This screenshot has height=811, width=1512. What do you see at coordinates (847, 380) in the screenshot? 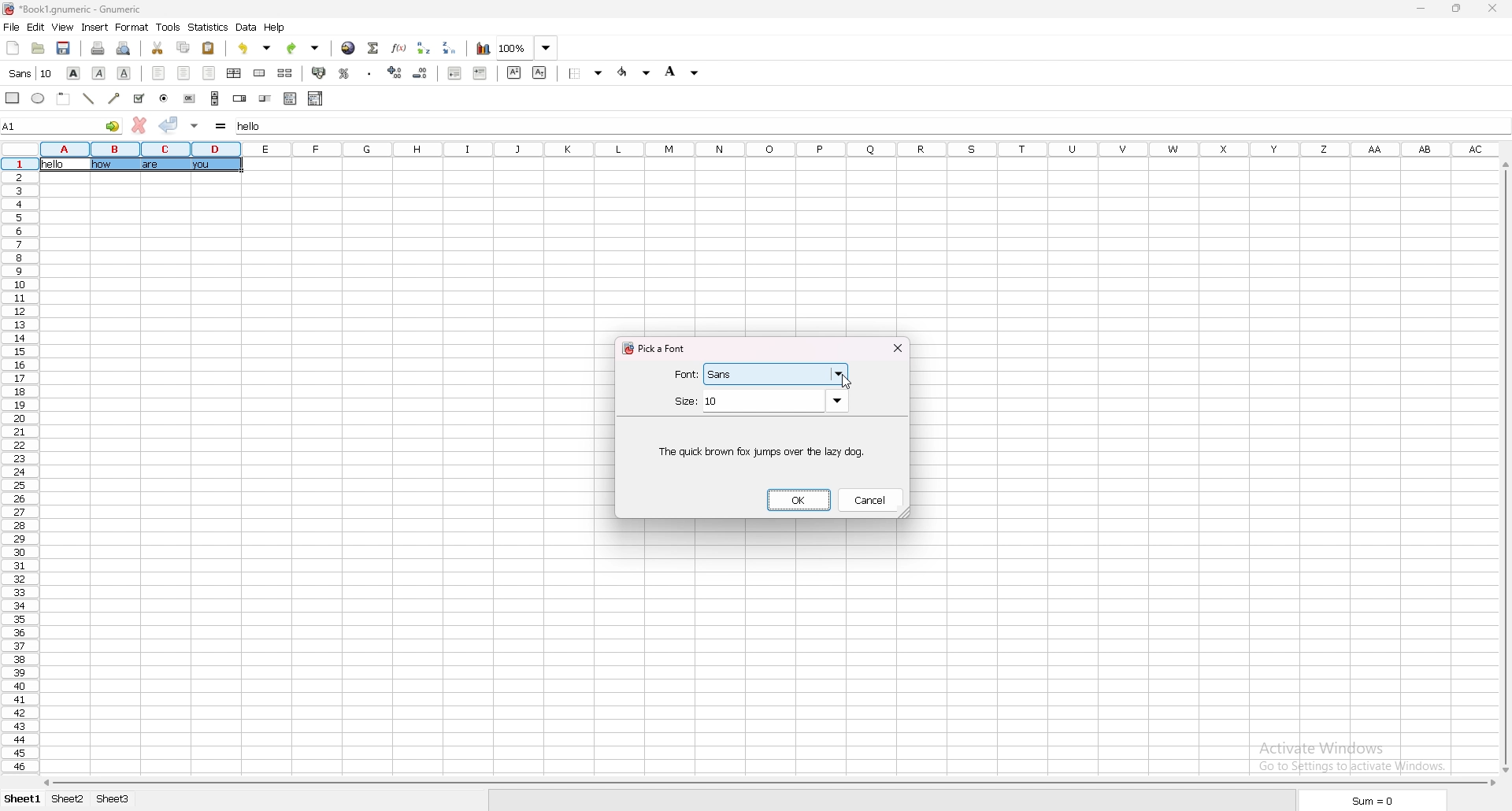
I see `cursor` at bounding box center [847, 380].